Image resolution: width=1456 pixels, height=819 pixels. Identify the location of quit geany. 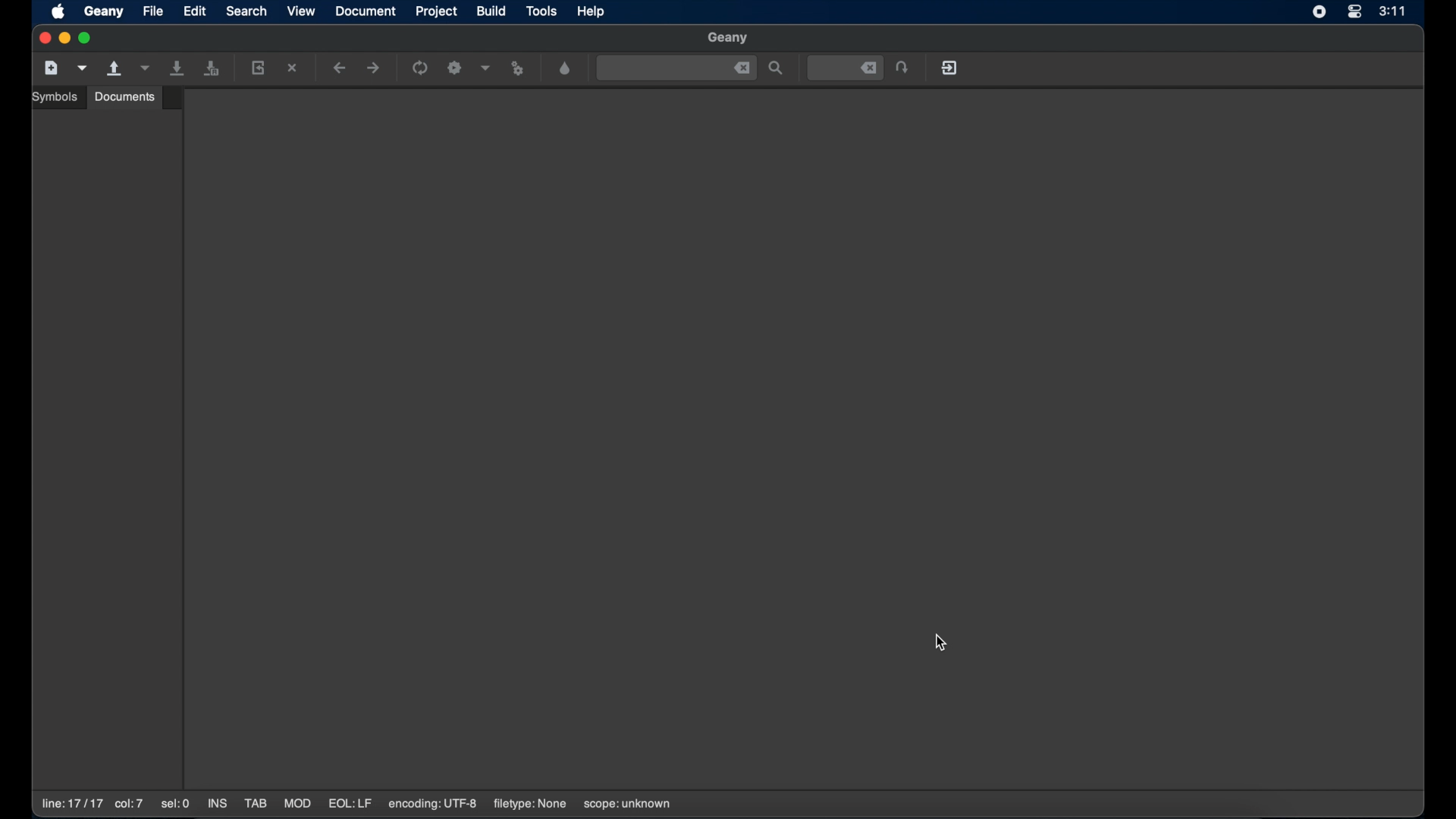
(951, 67).